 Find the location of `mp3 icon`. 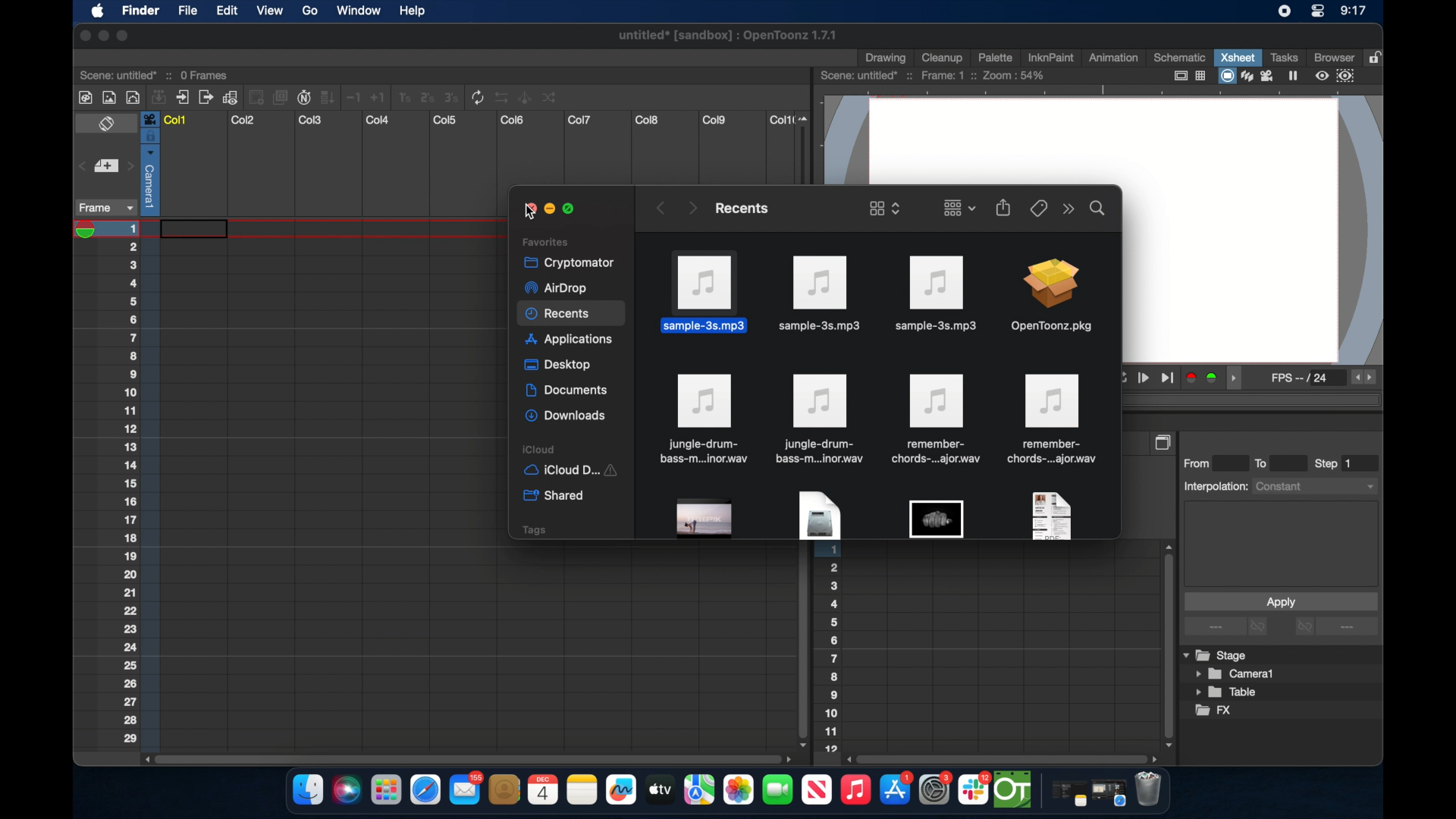

mp3 icon is located at coordinates (934, 293).